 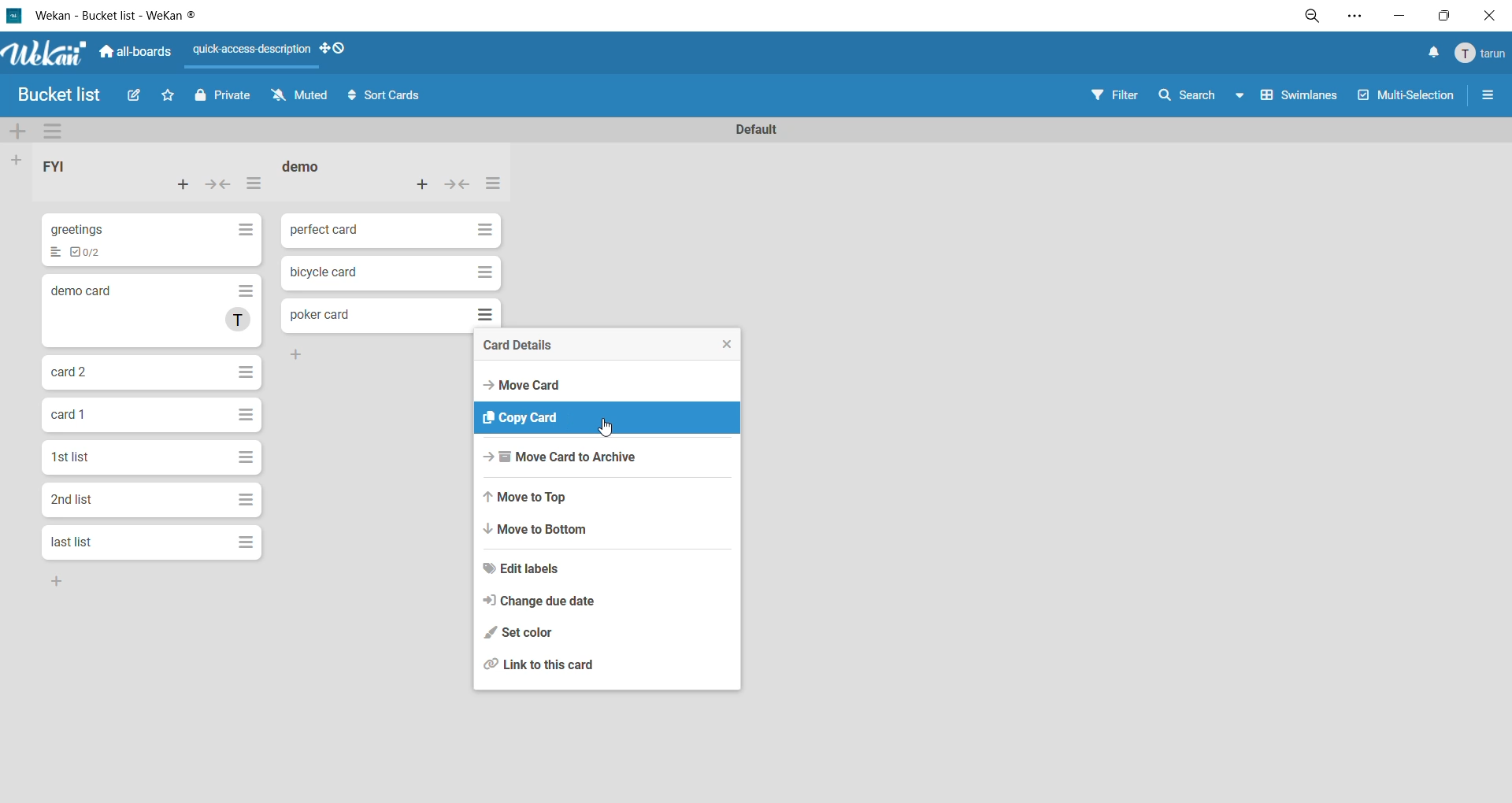 I want to click on sidebar, so click(x=1488, y=98).